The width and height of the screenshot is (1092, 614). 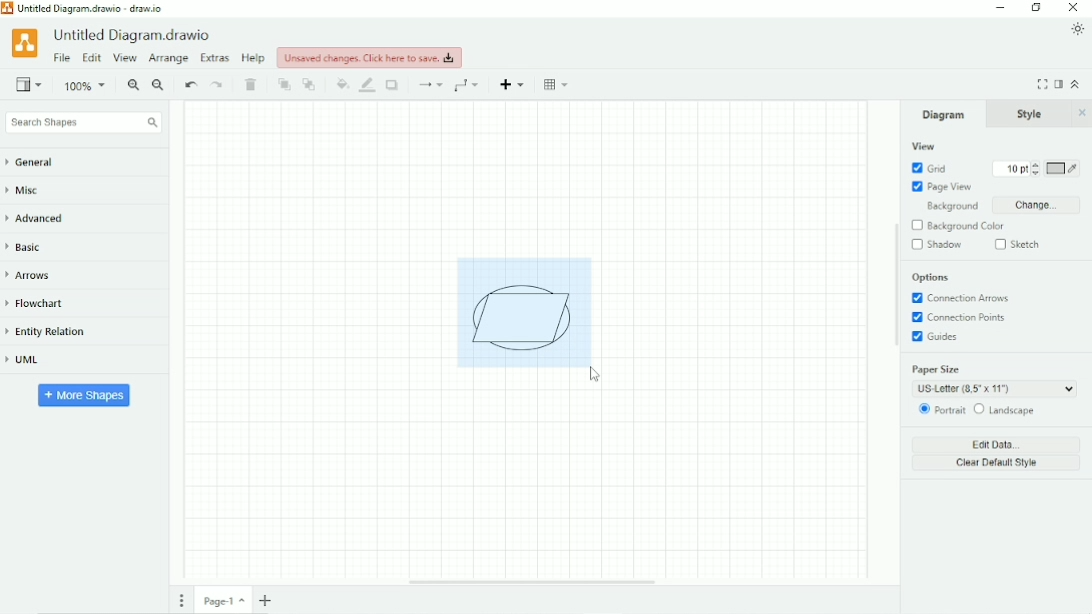 What do you see at coordinates (942, 187) in the screenshot?
I see `Page view` at bounding box center [942, 187].